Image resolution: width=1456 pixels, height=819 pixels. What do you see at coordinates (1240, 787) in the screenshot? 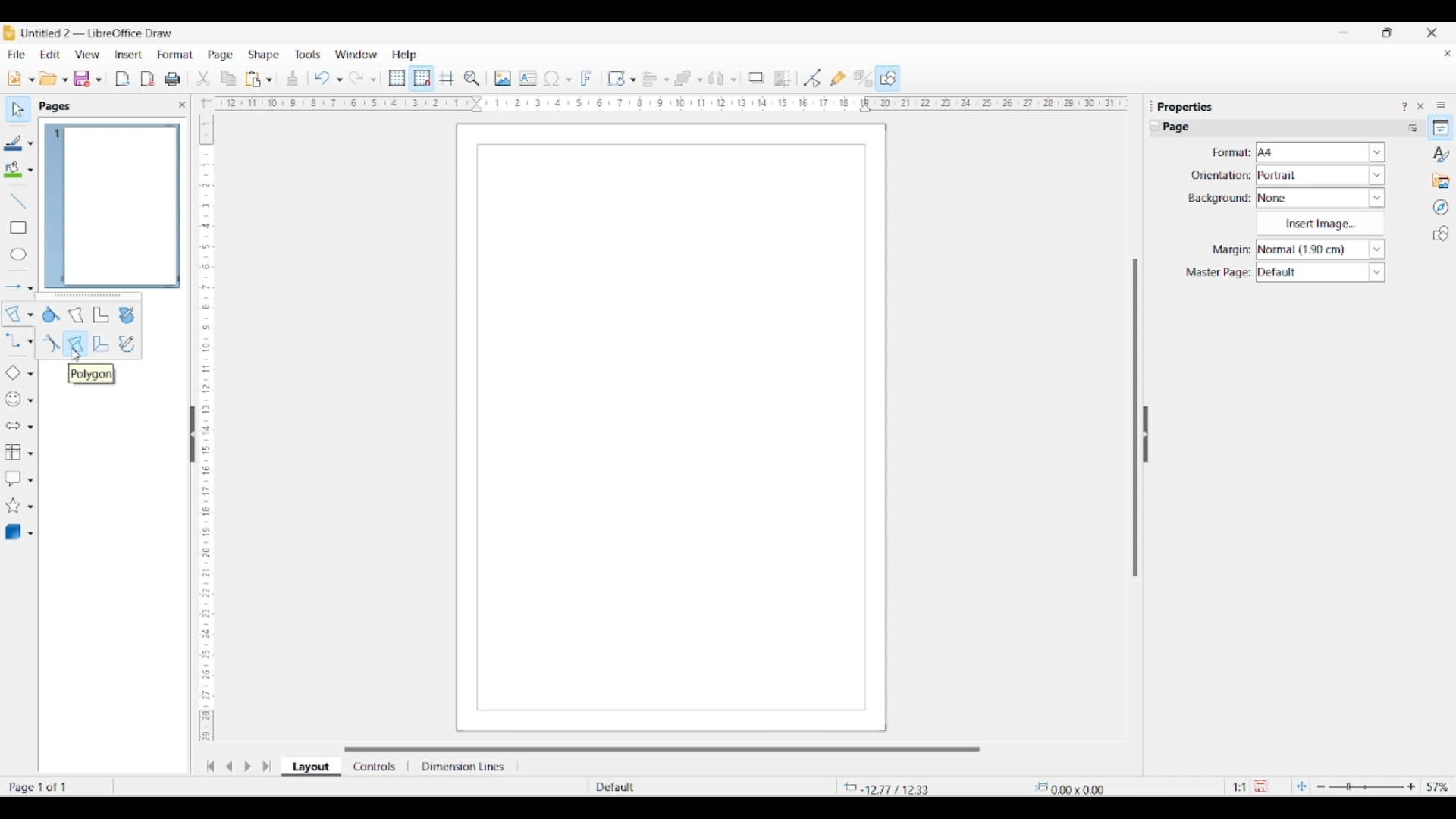
I see `Scaling factor of the document` at bounding box center [1240, 787].